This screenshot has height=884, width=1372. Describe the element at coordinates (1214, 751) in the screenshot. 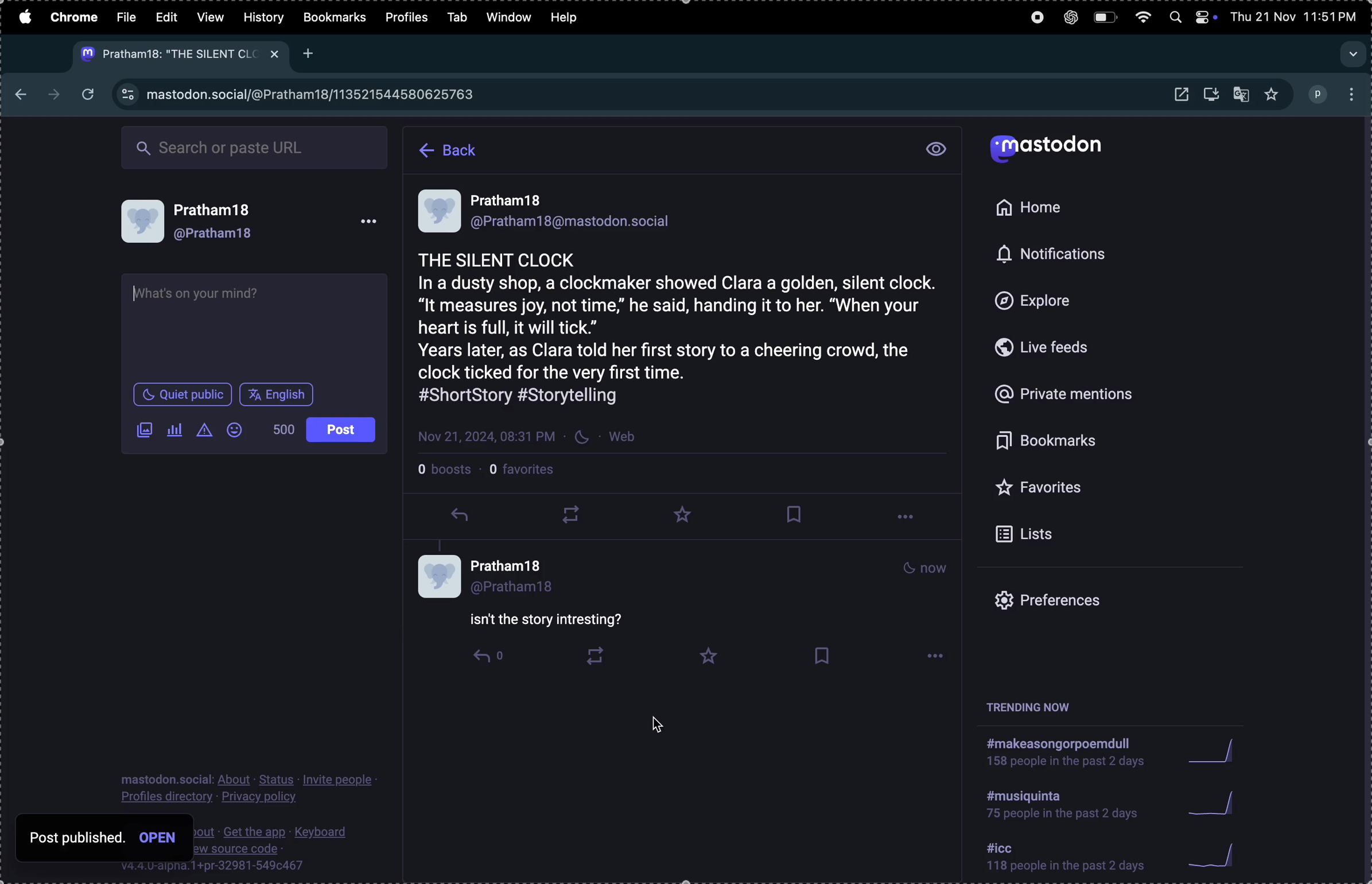

I see `graph` at that location.